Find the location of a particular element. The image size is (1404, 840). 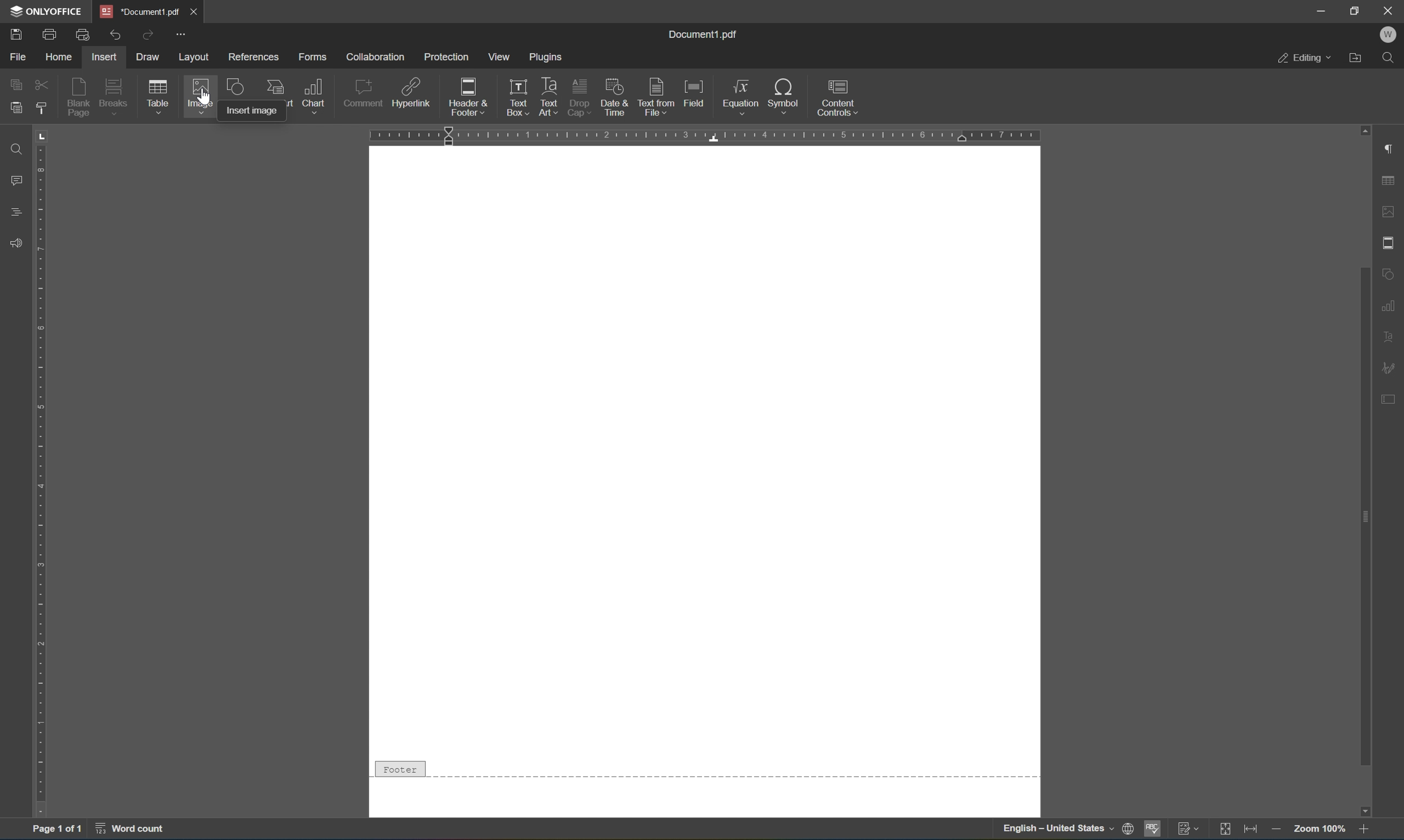

insert is located at coordinates (106, 58).